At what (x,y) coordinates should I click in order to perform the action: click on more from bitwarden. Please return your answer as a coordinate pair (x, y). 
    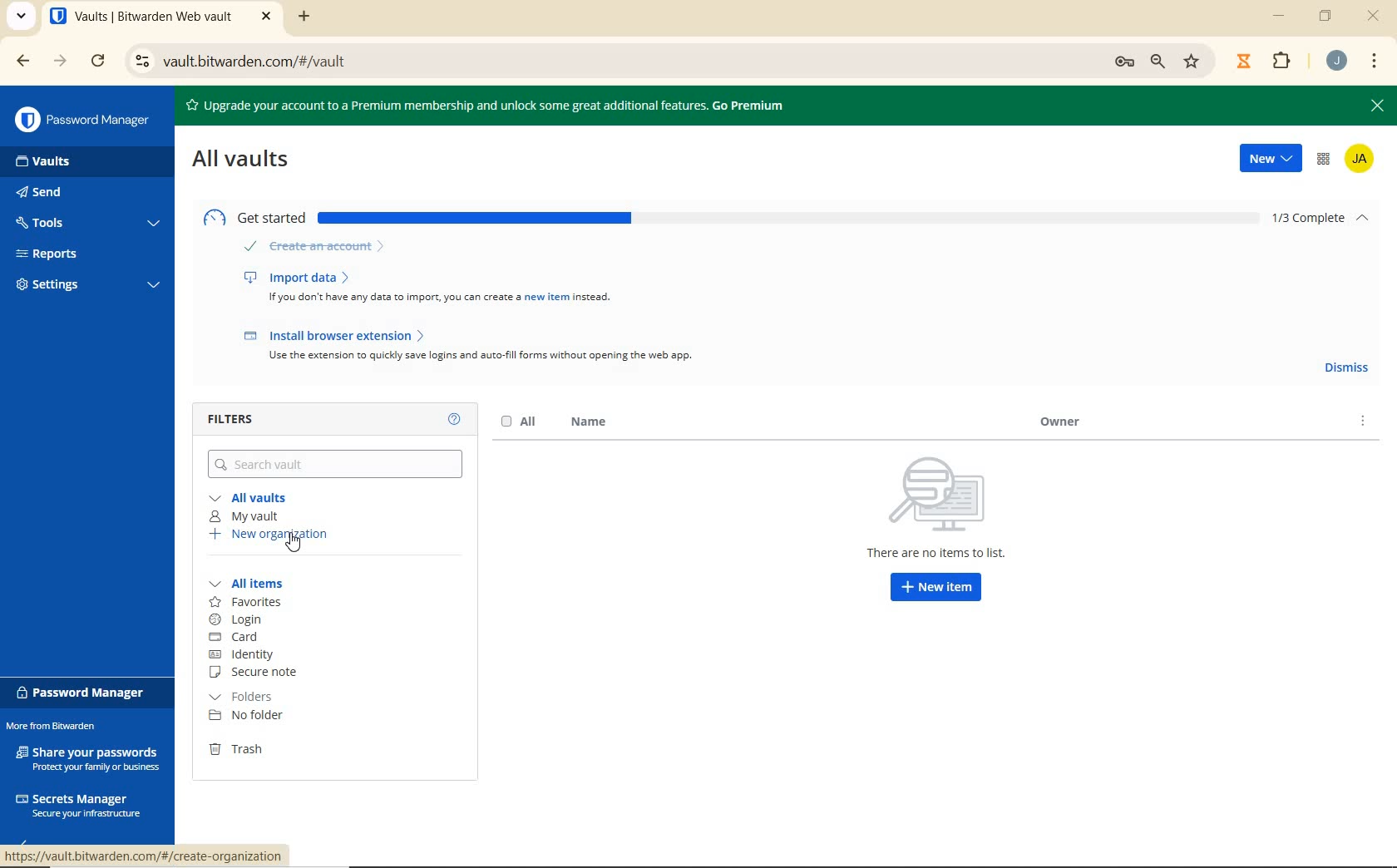
    Looking at the image, I should click on (61, 727).